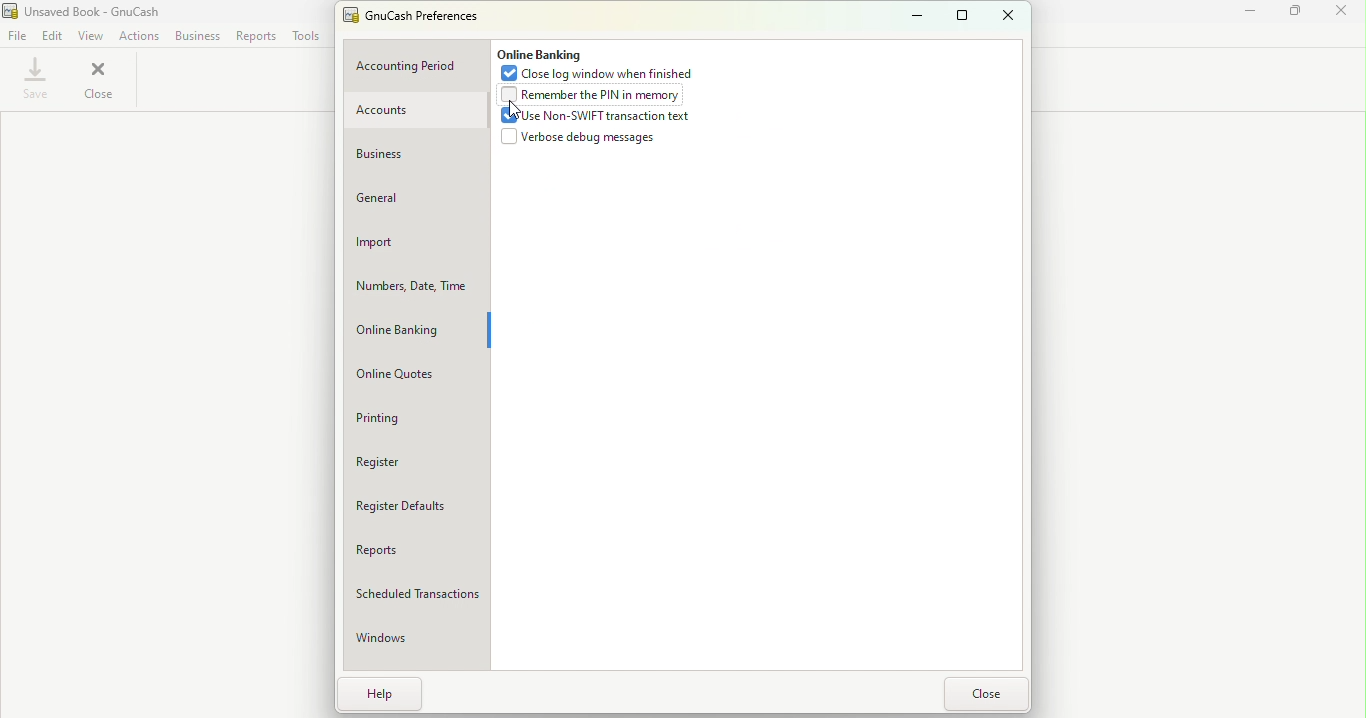 The height and width of the screenshot is (718, 1366). I want to click on cursor, so click(513, 111).